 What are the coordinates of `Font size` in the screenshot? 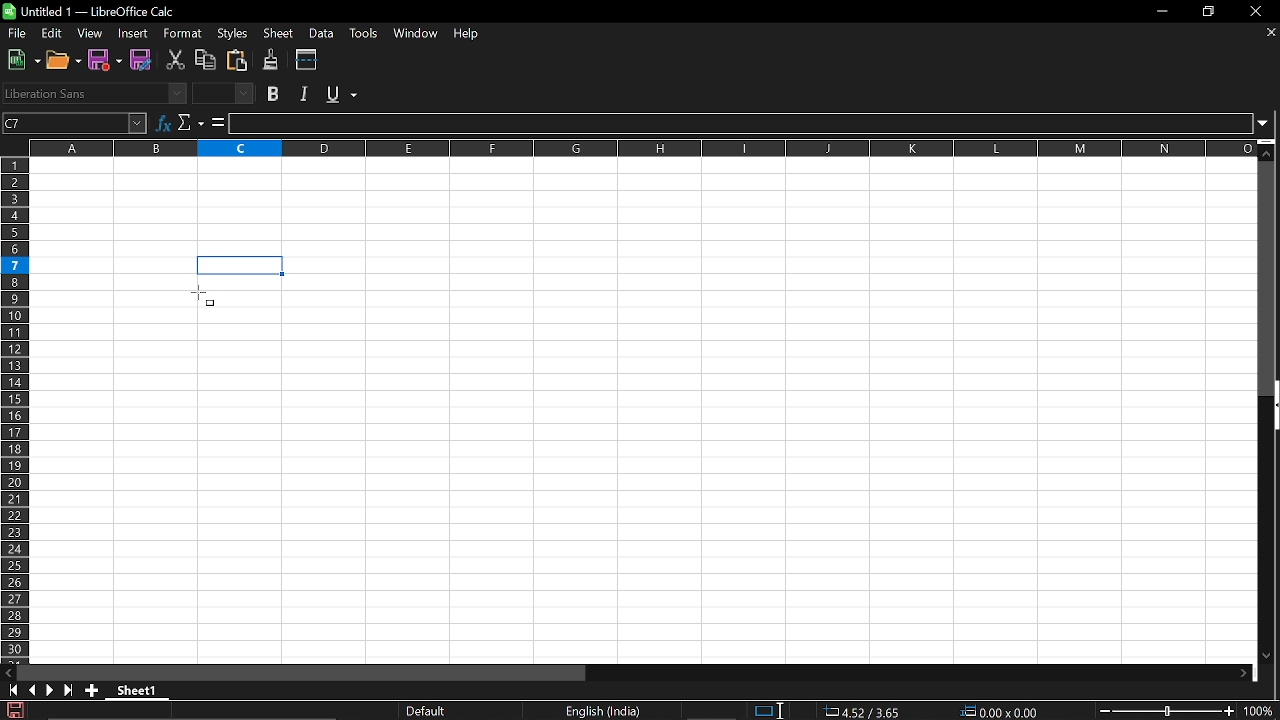 It's located at (226, 94).